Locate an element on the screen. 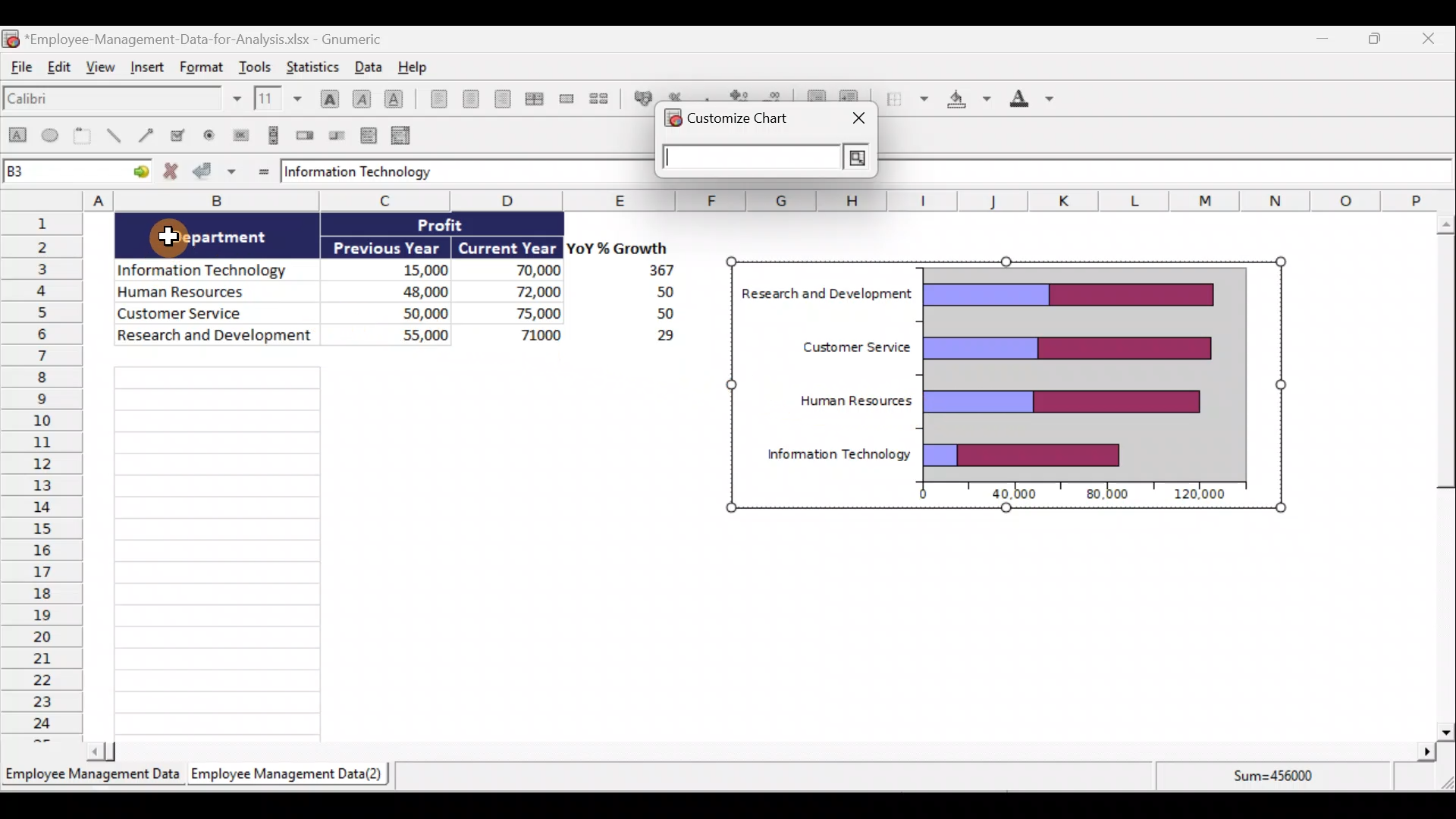  Cancel change is located at coordinates (171, 173).